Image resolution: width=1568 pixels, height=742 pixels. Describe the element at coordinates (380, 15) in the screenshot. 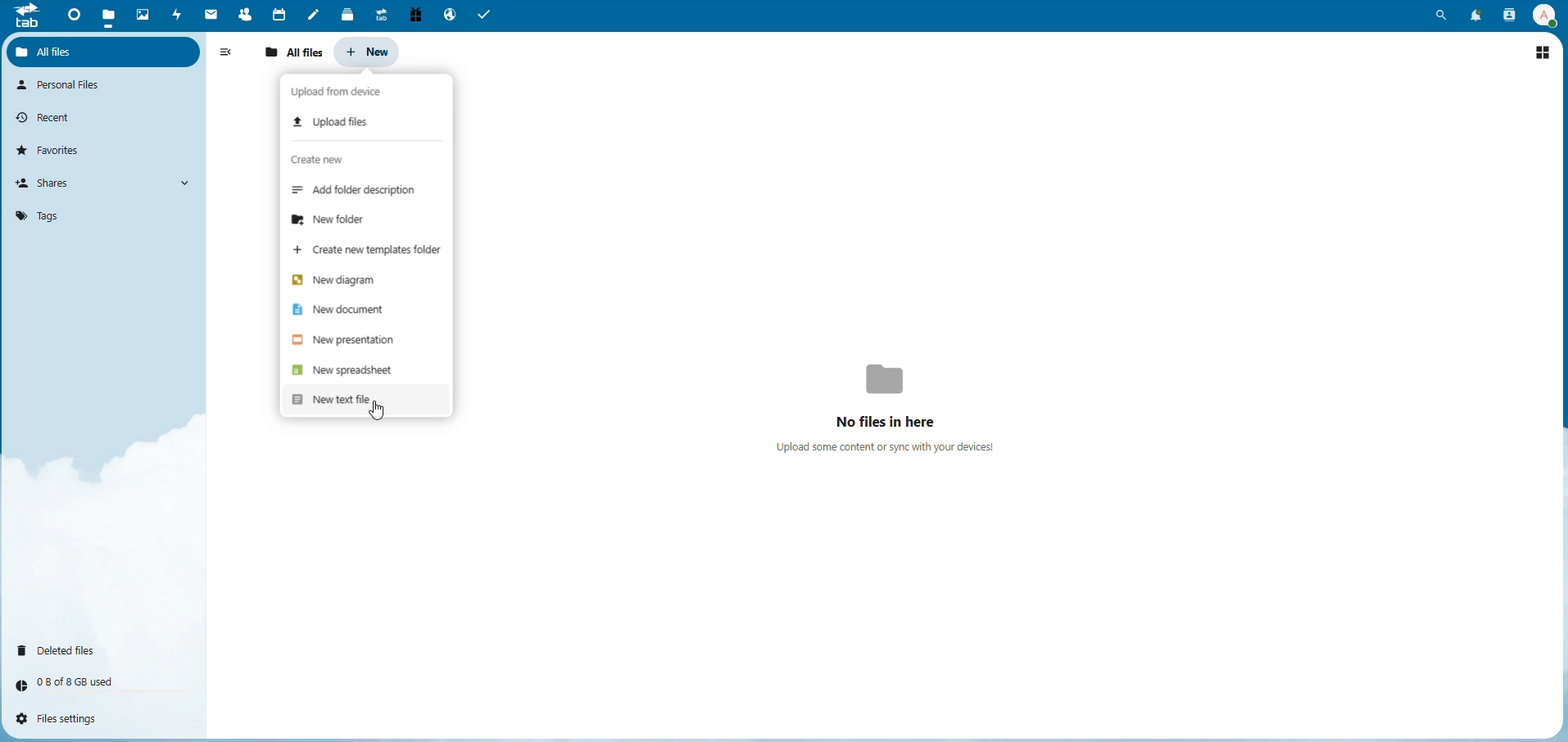

I see `Upgrade` at that location.